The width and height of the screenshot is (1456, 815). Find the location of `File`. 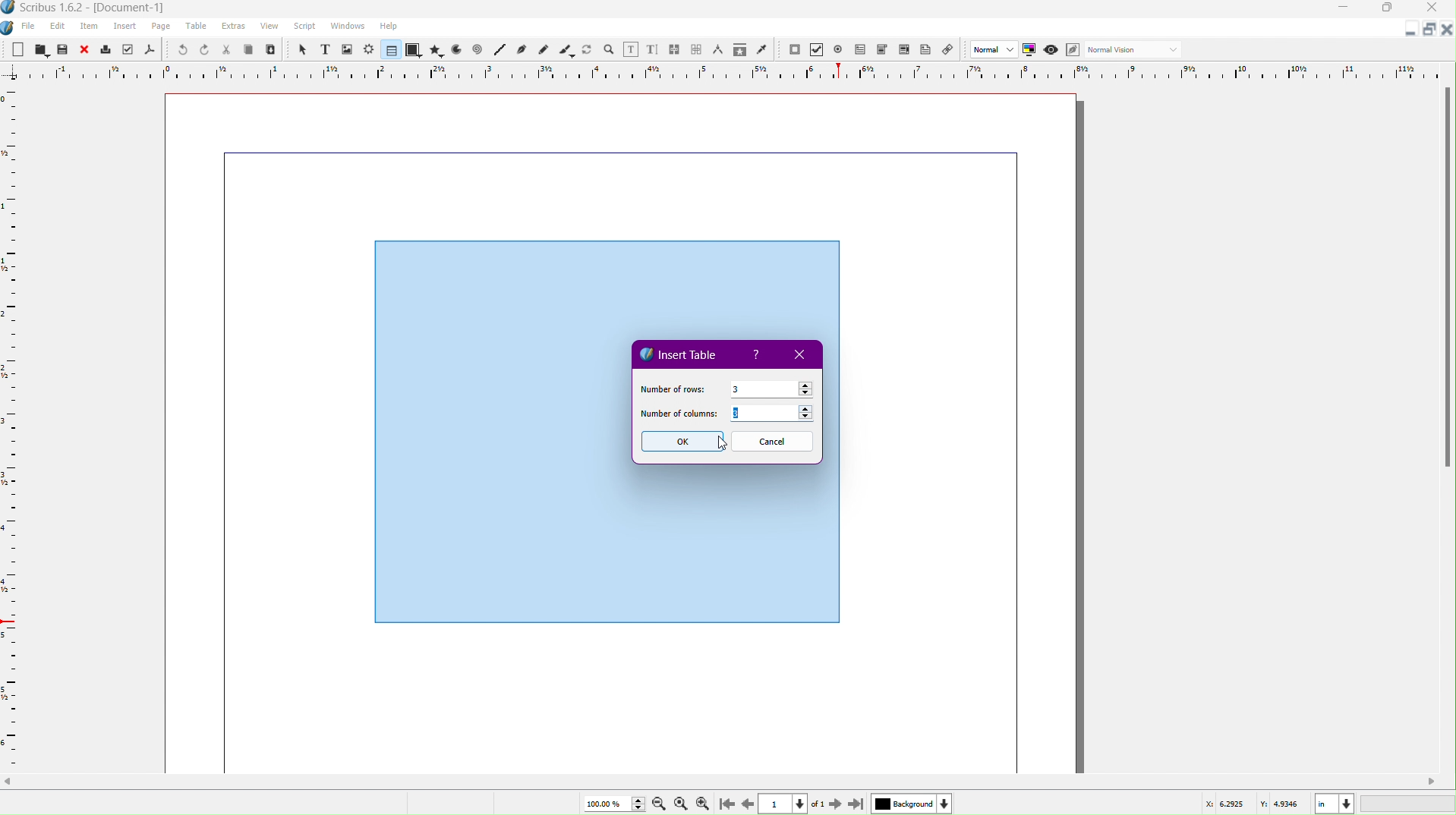

File is located at coordinates (27, 27).